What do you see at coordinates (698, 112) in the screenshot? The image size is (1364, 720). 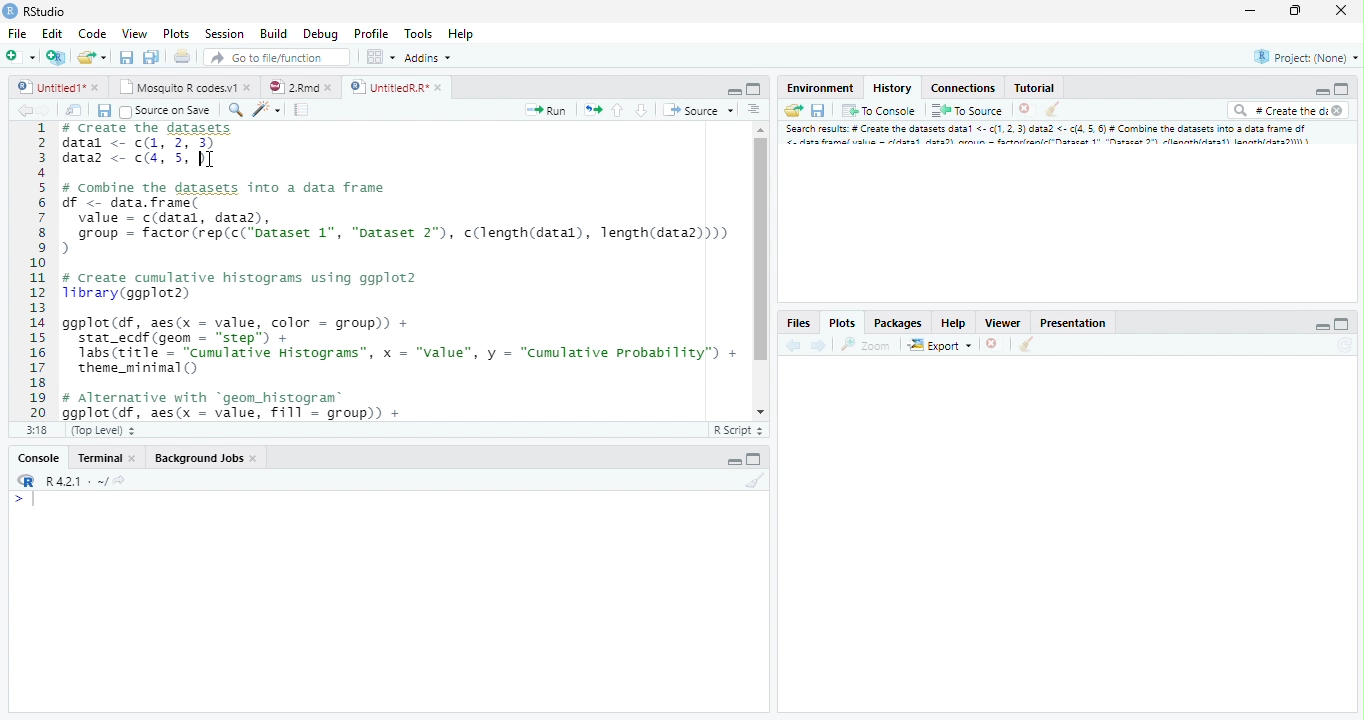 I see `Source` at bounding box center [698, 112].